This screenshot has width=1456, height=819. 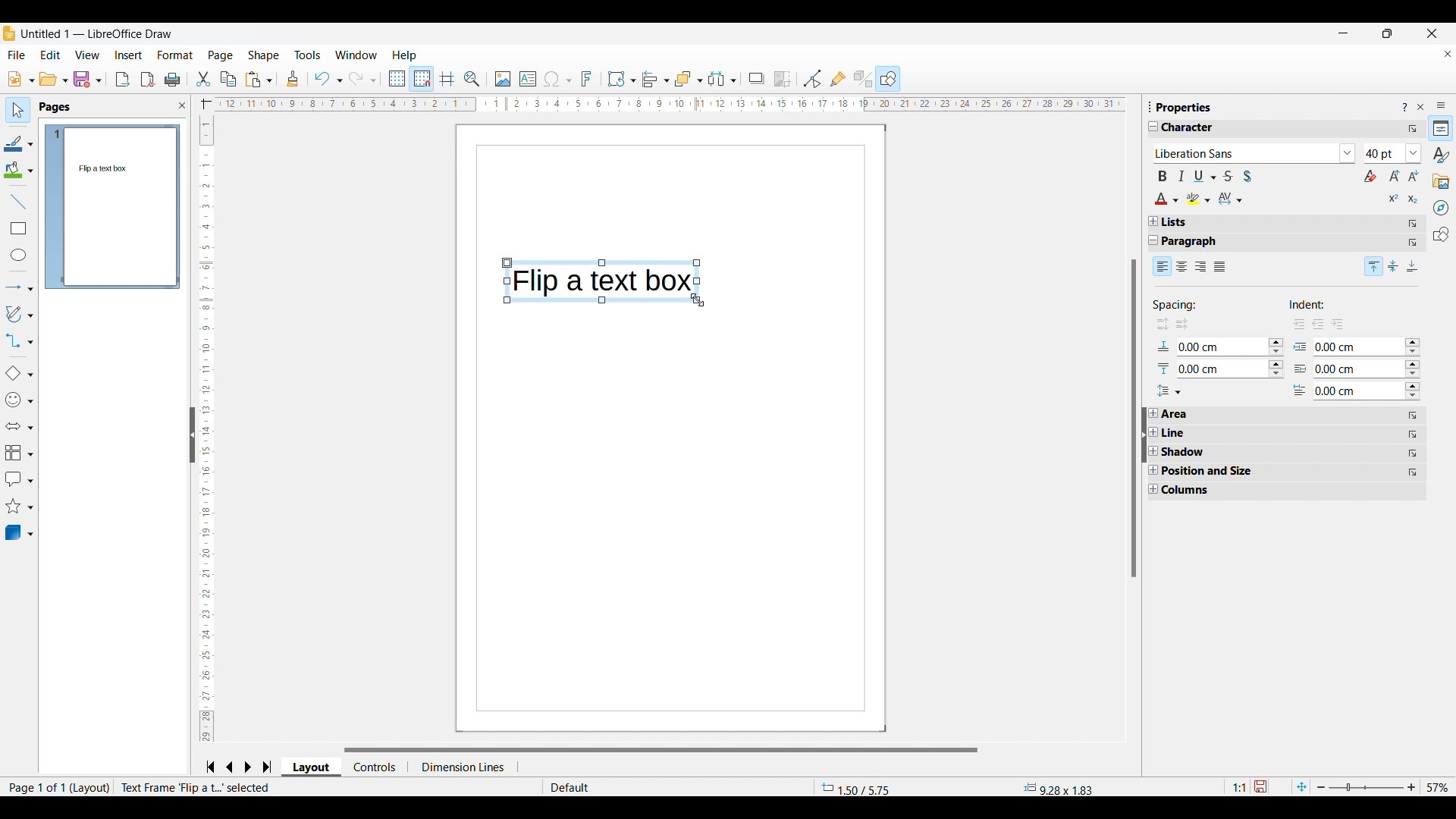 I want to click on Indicates respective indent options, so click(x=1301, y=369).